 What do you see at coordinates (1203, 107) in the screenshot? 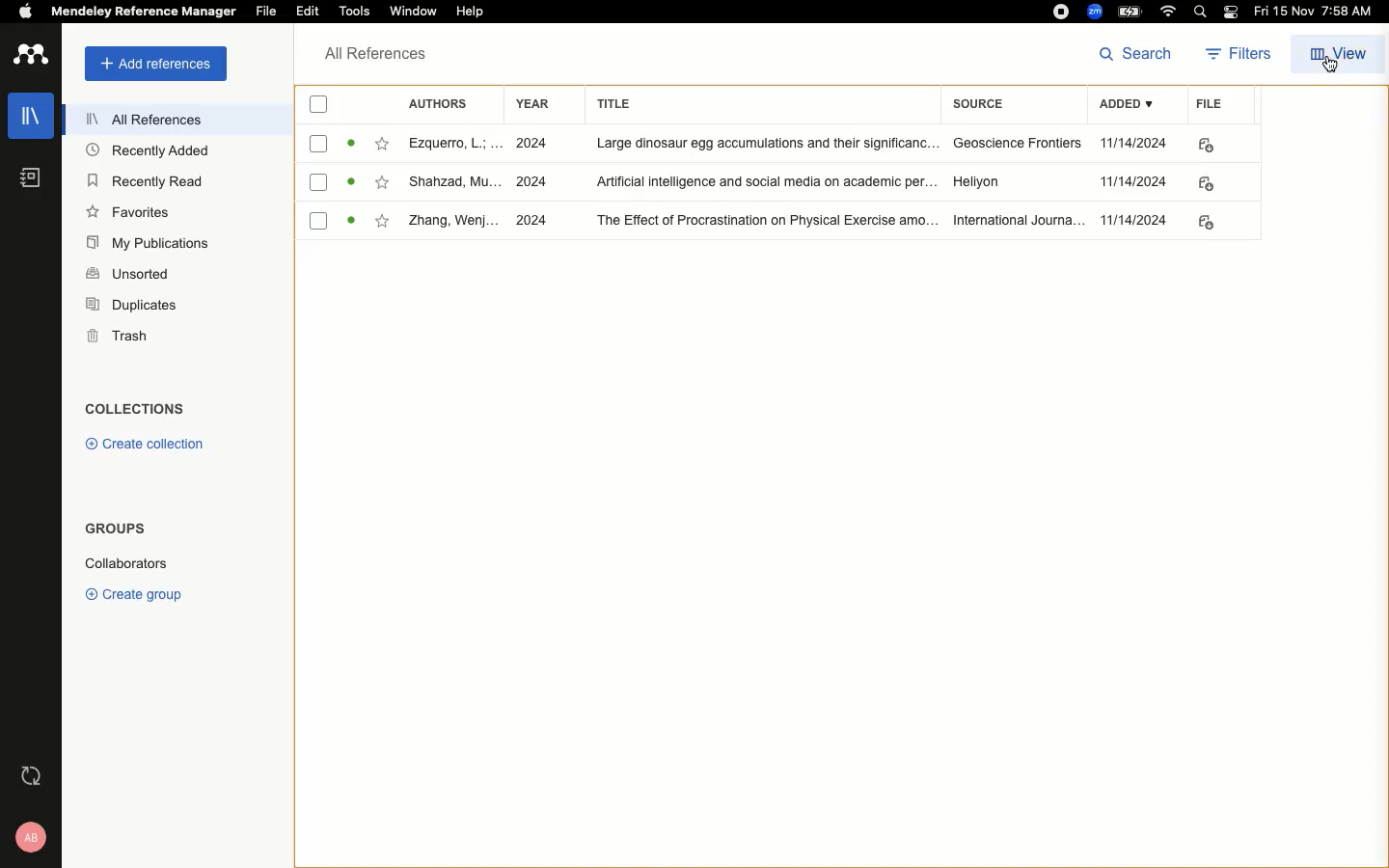
I see `File` at bounding box center [1203, 107].